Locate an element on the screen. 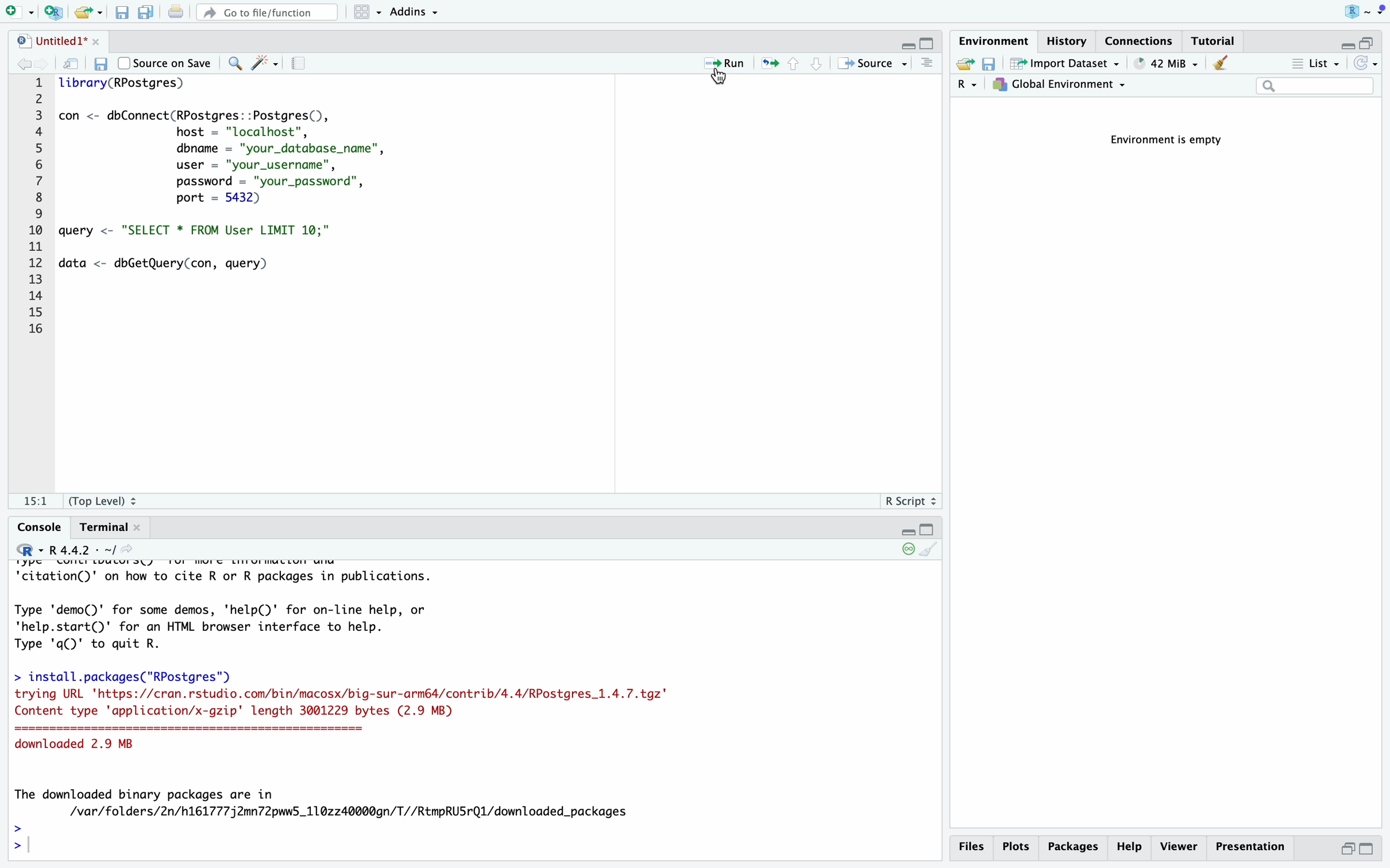 Image resolution: width=1390 pixels, height=868 pixels. language select is located at coordinates (968, 86).